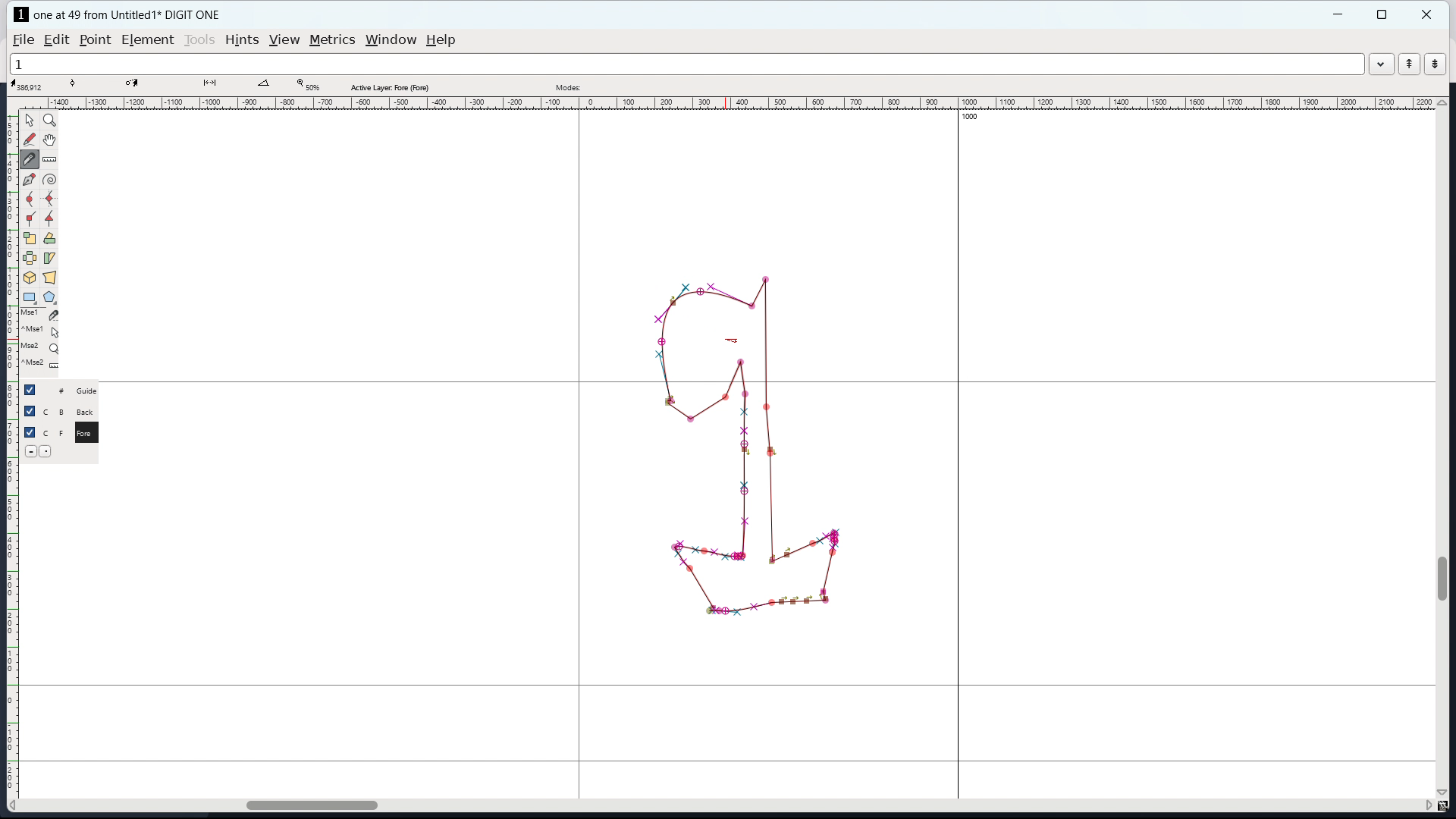 The width and height of the screenshot is (1456, 819). Describe the element at coordinates (96, 40) in the screenshot. I see `point` at that location.